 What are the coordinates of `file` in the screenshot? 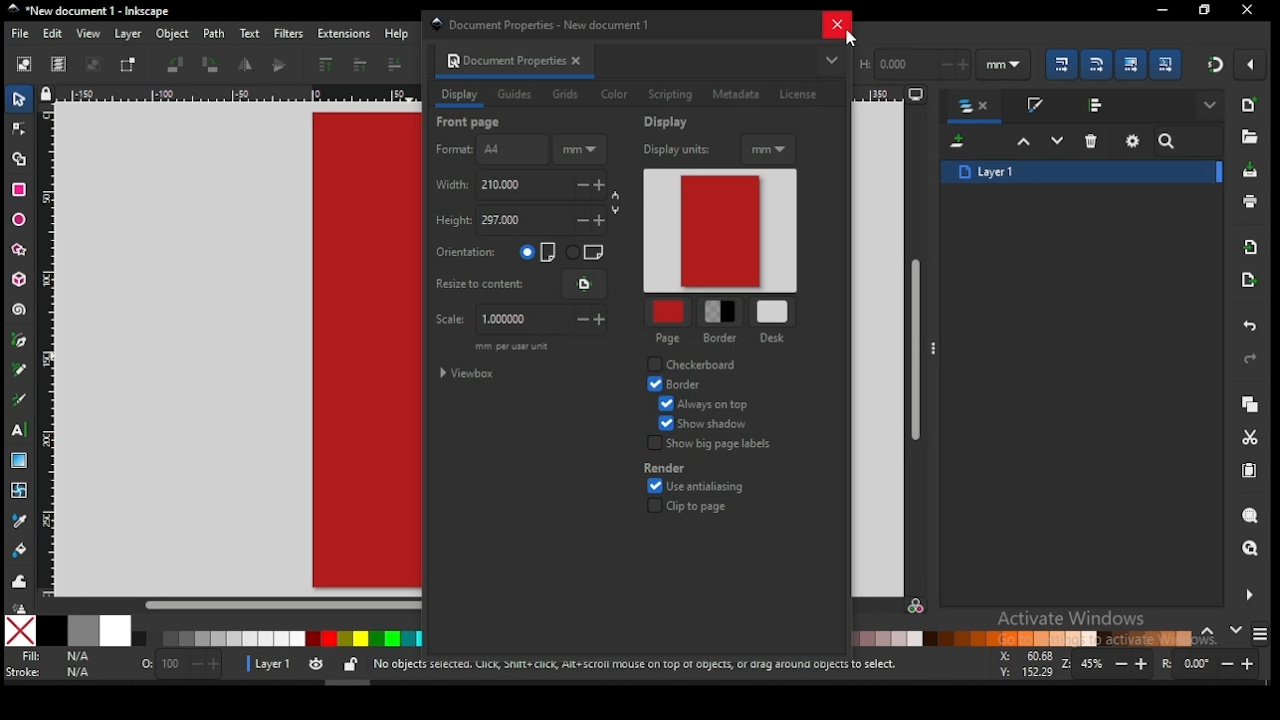 It's located at (20, 36).